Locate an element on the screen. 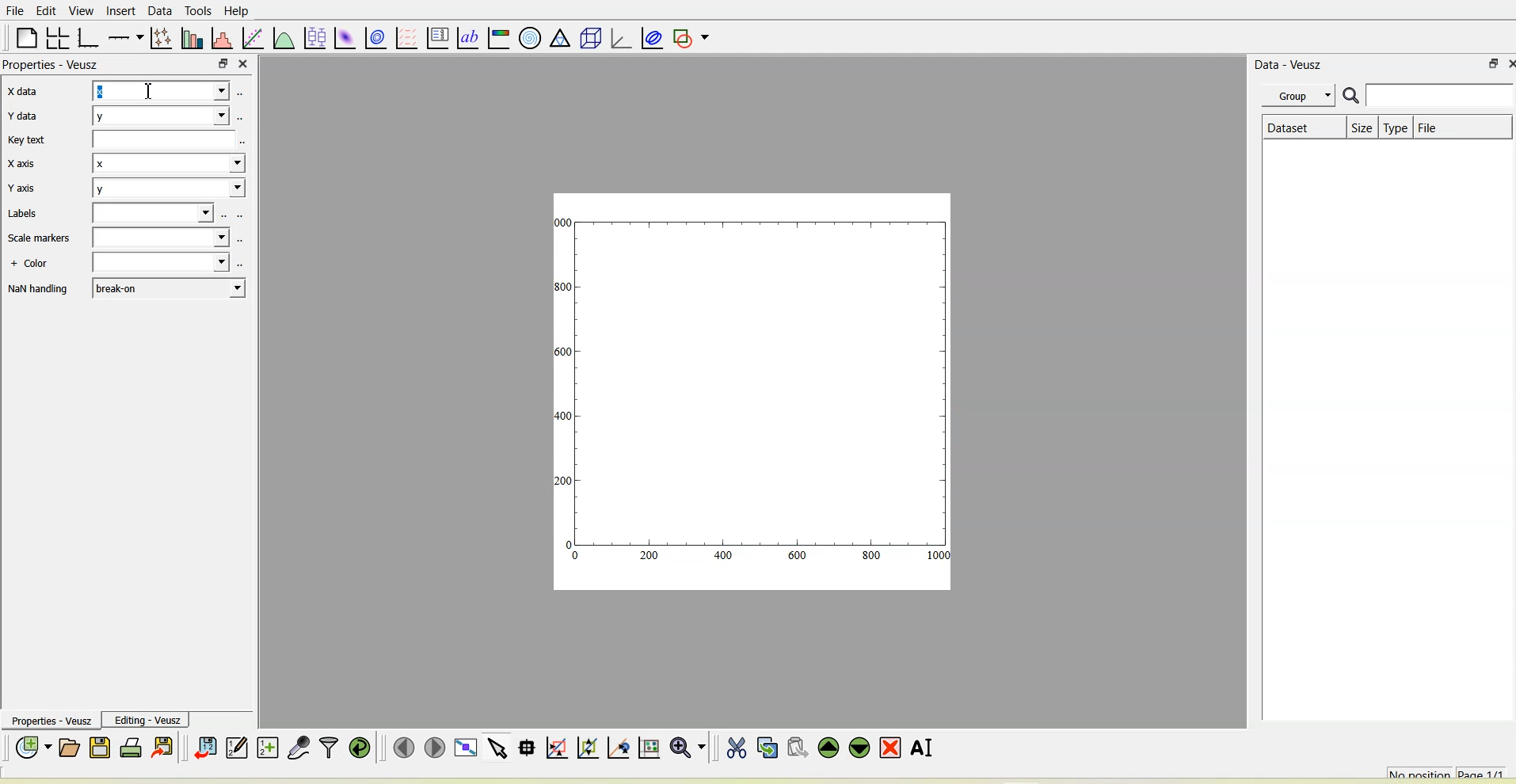 Image resolution: width=1516 pixels, height=784 pixels. Filter data is located at coordinates (329, 748).